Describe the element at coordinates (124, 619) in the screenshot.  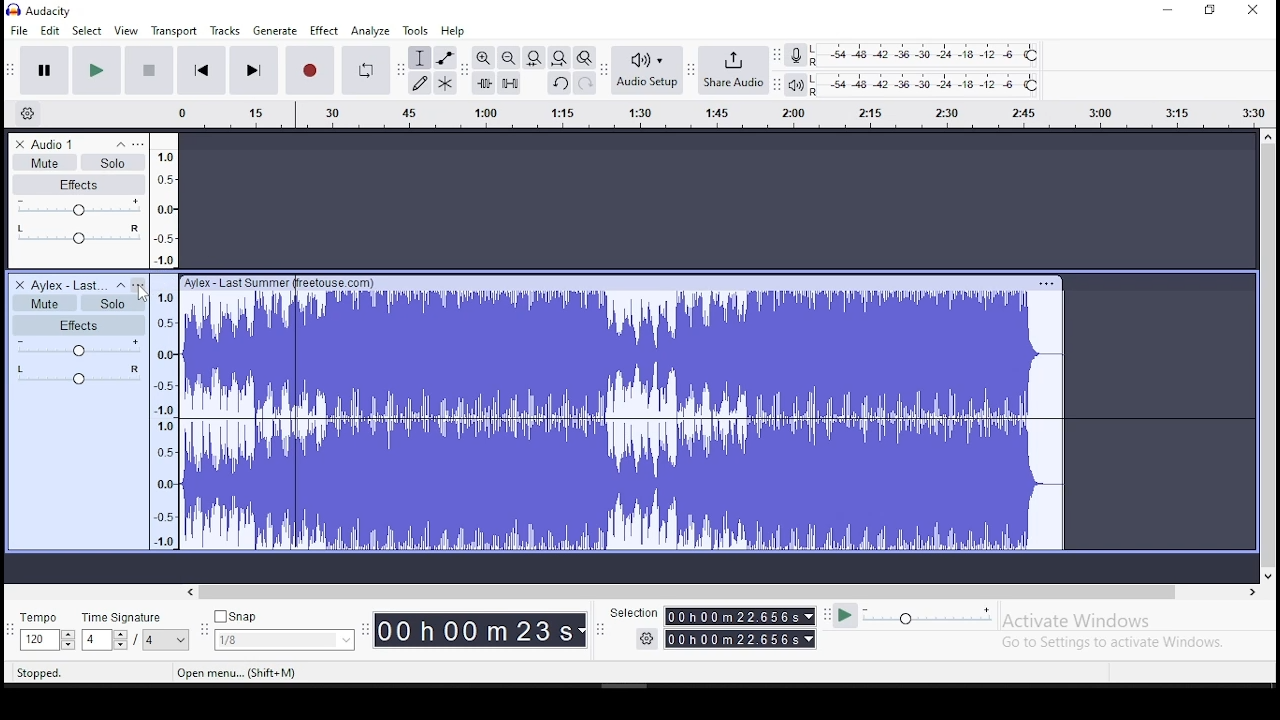
I see `time signature` at that location.